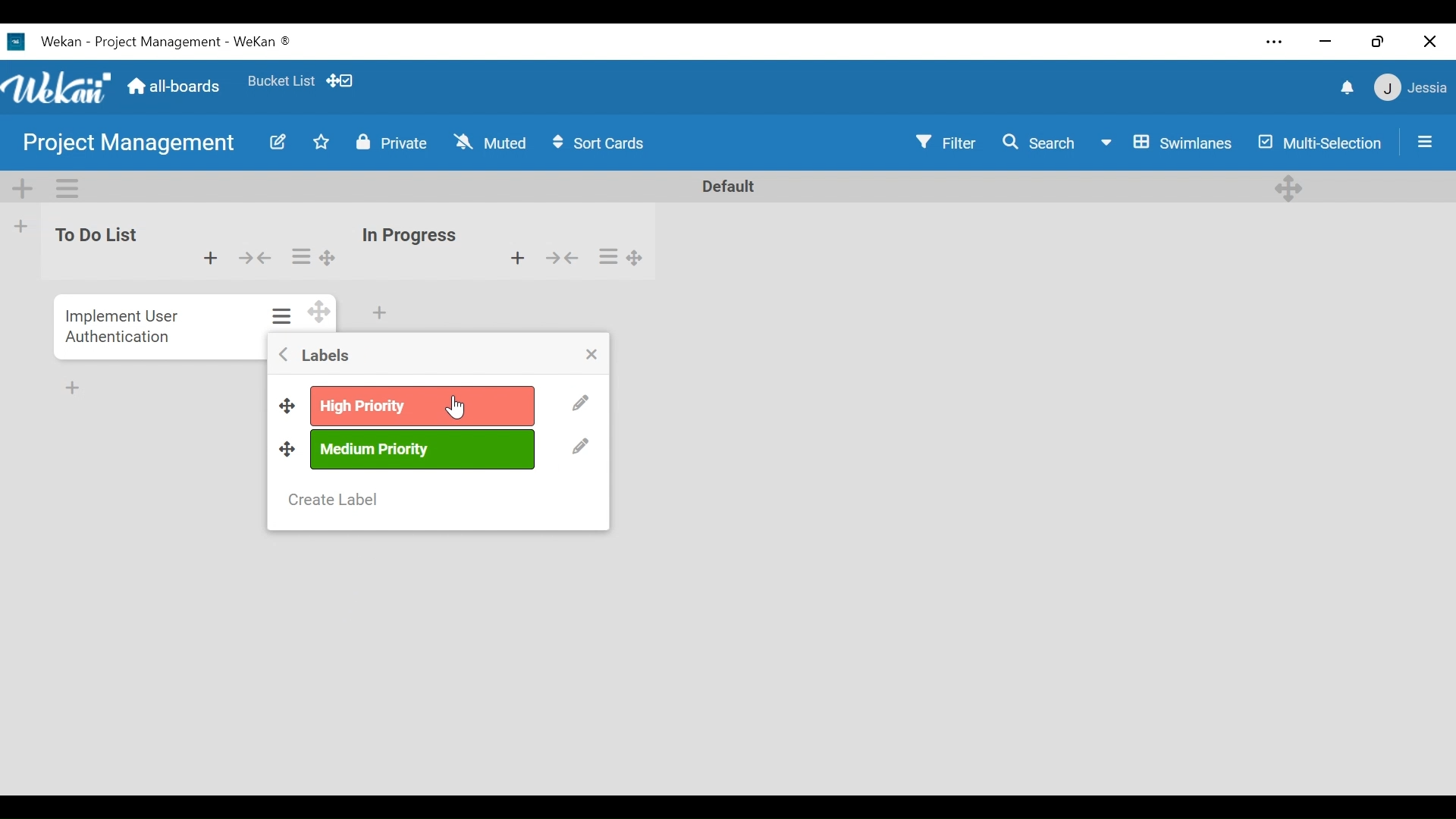  Describe the element at coordinates (491, 143) in the screenshot. I see `\ Muted` at that location.